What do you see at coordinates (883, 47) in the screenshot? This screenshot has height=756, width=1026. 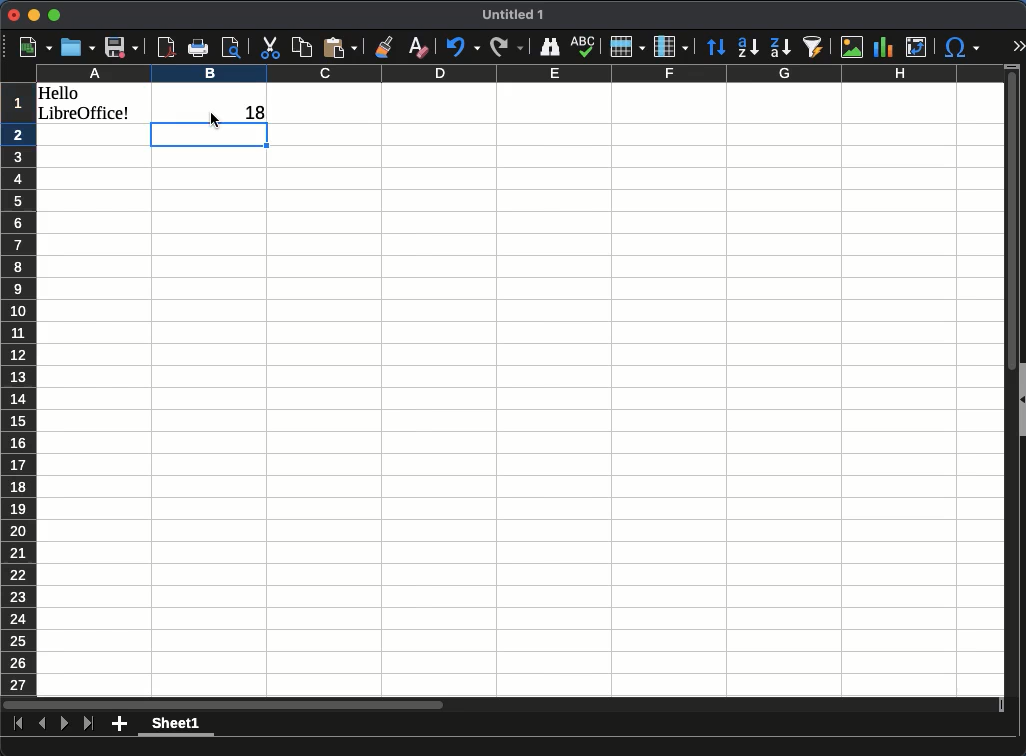 I see `chart` at bounding box center [883, 47].